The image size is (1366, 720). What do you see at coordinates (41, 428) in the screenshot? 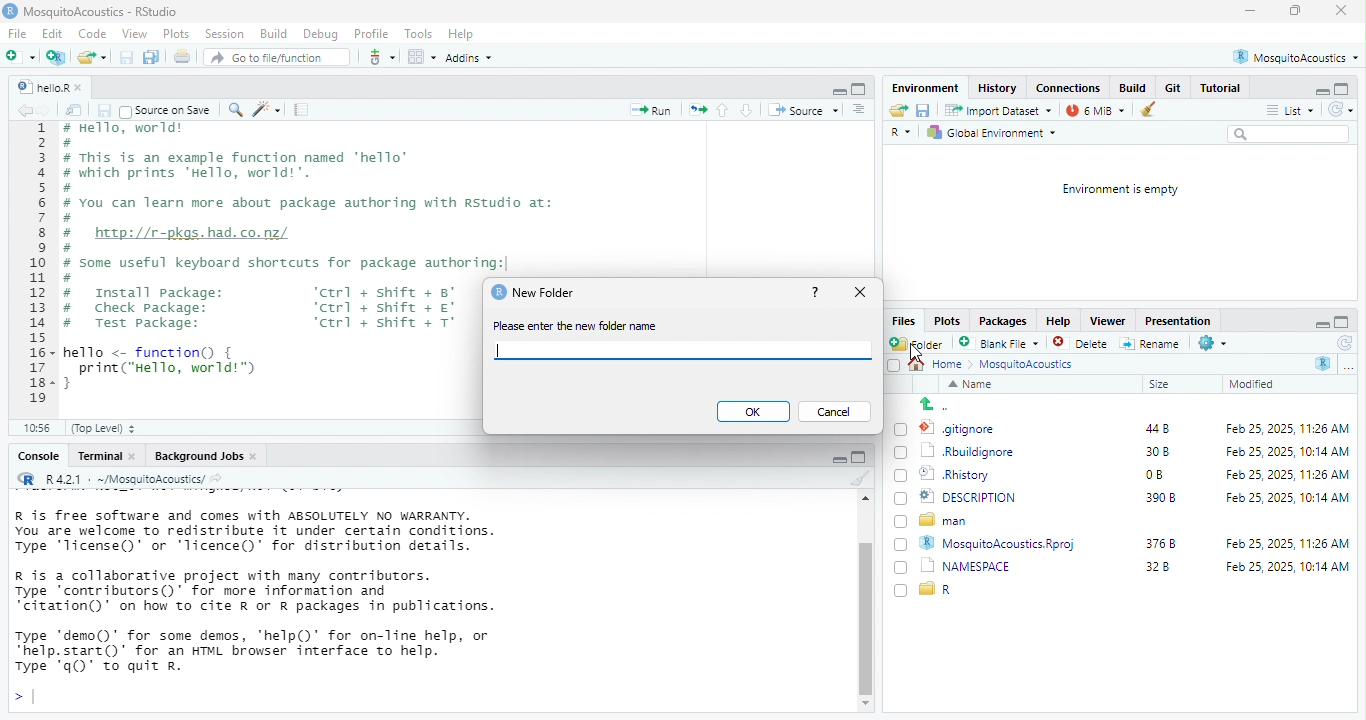
I see `10:56` at bounding box center [41, 428].